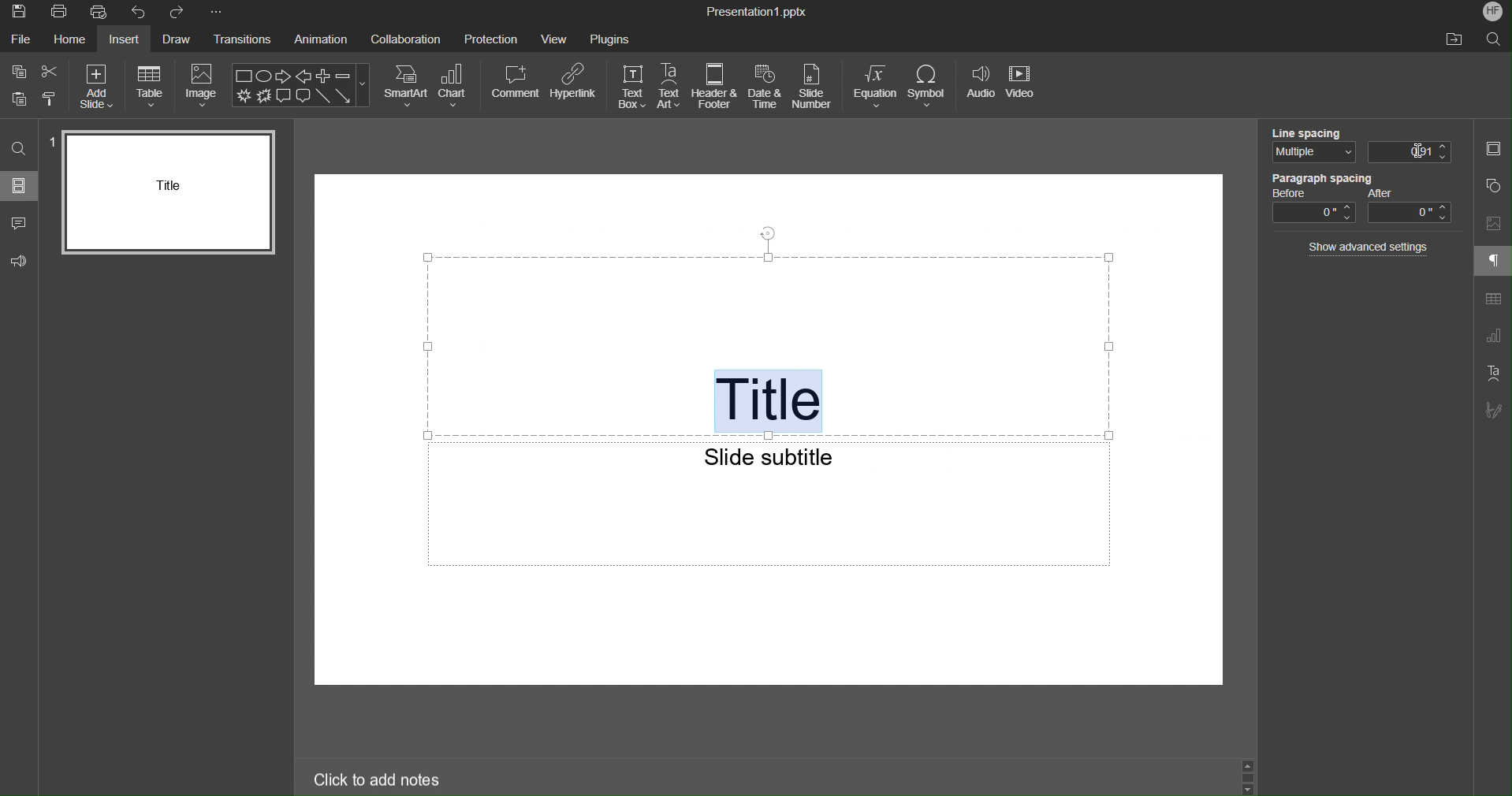 This screenshot has width=1512, height=796. What do you see at coordinates (302, 85) in the screenshot?
I see `Shape Menu` at bounding box center [302, 85].